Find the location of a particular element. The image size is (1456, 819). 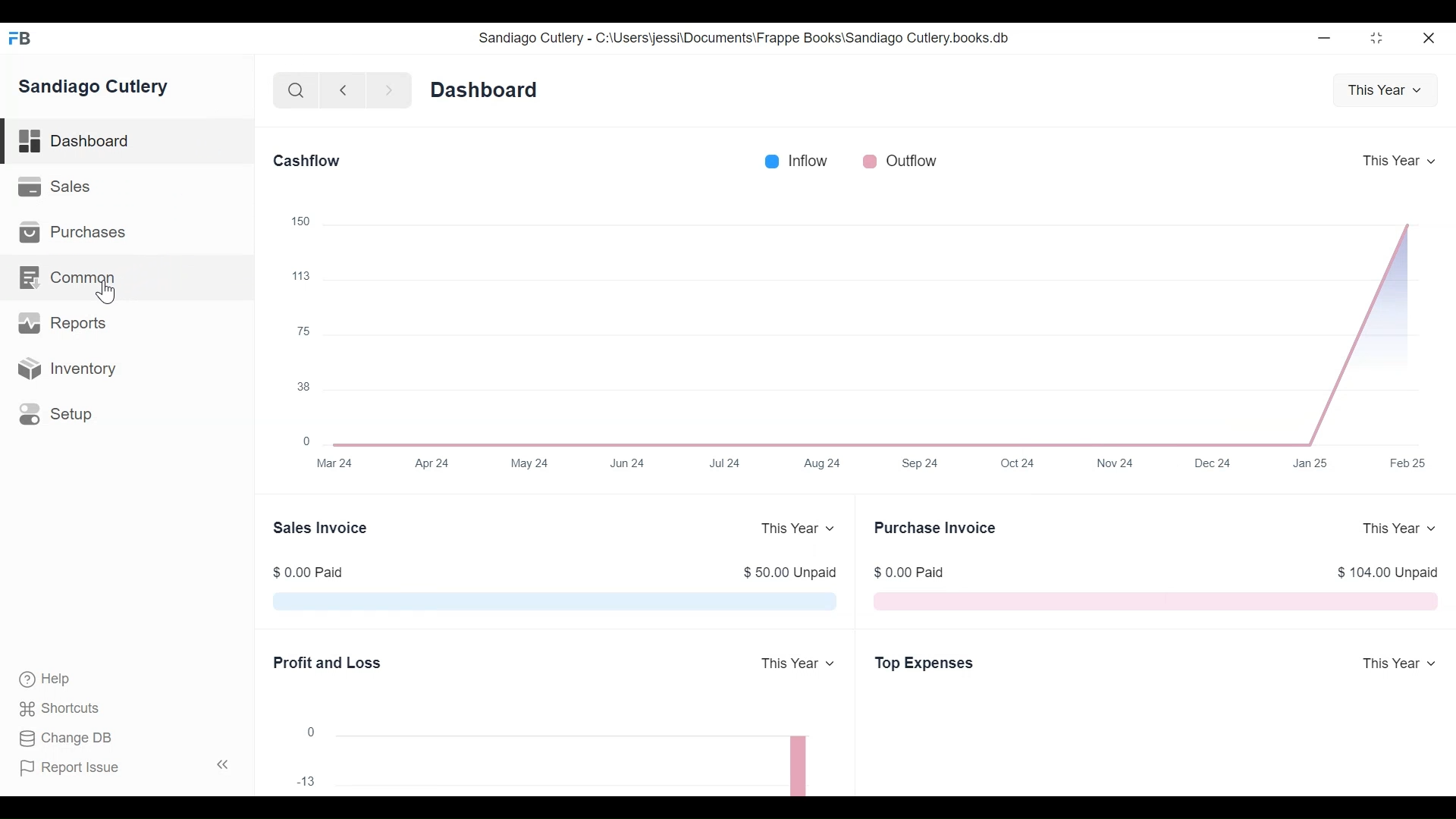

Dashboard is located at coordinates (129, 143).